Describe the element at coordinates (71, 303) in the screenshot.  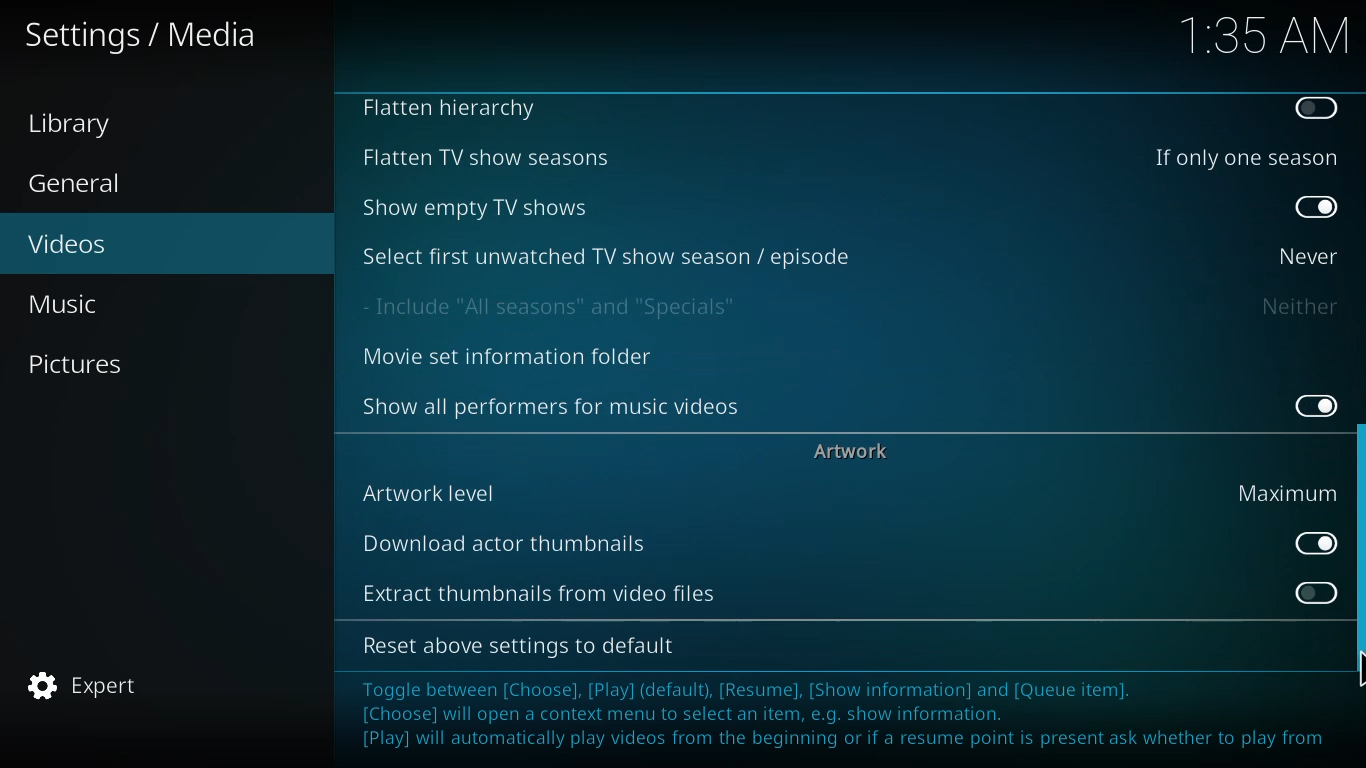
I see `music` at that location.